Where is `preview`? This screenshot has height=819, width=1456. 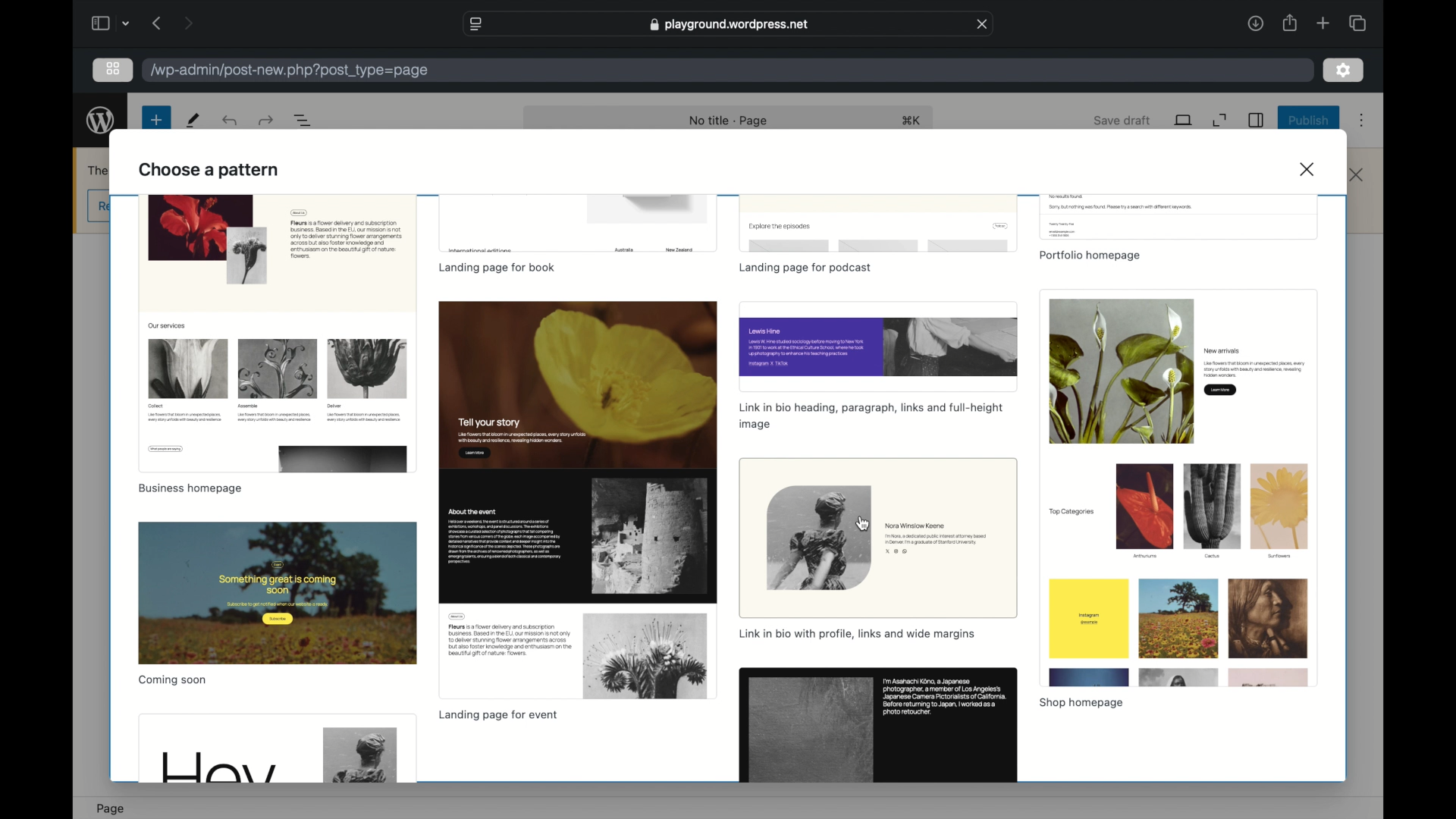
preview is located at coordinates (1178, 217).